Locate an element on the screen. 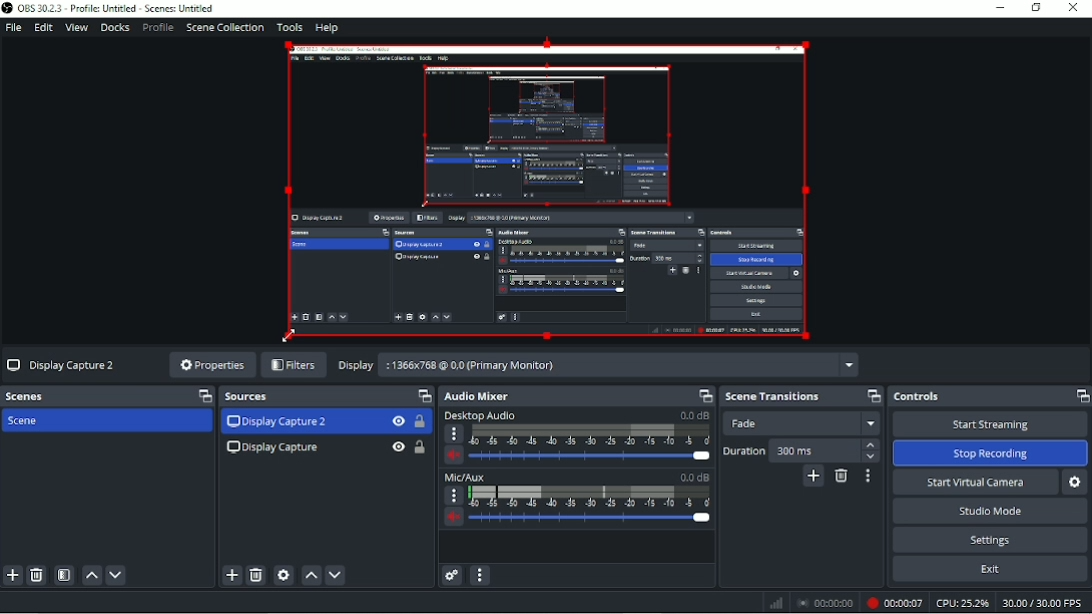  CPU: 25.2% is located at coordinates (961, 603).